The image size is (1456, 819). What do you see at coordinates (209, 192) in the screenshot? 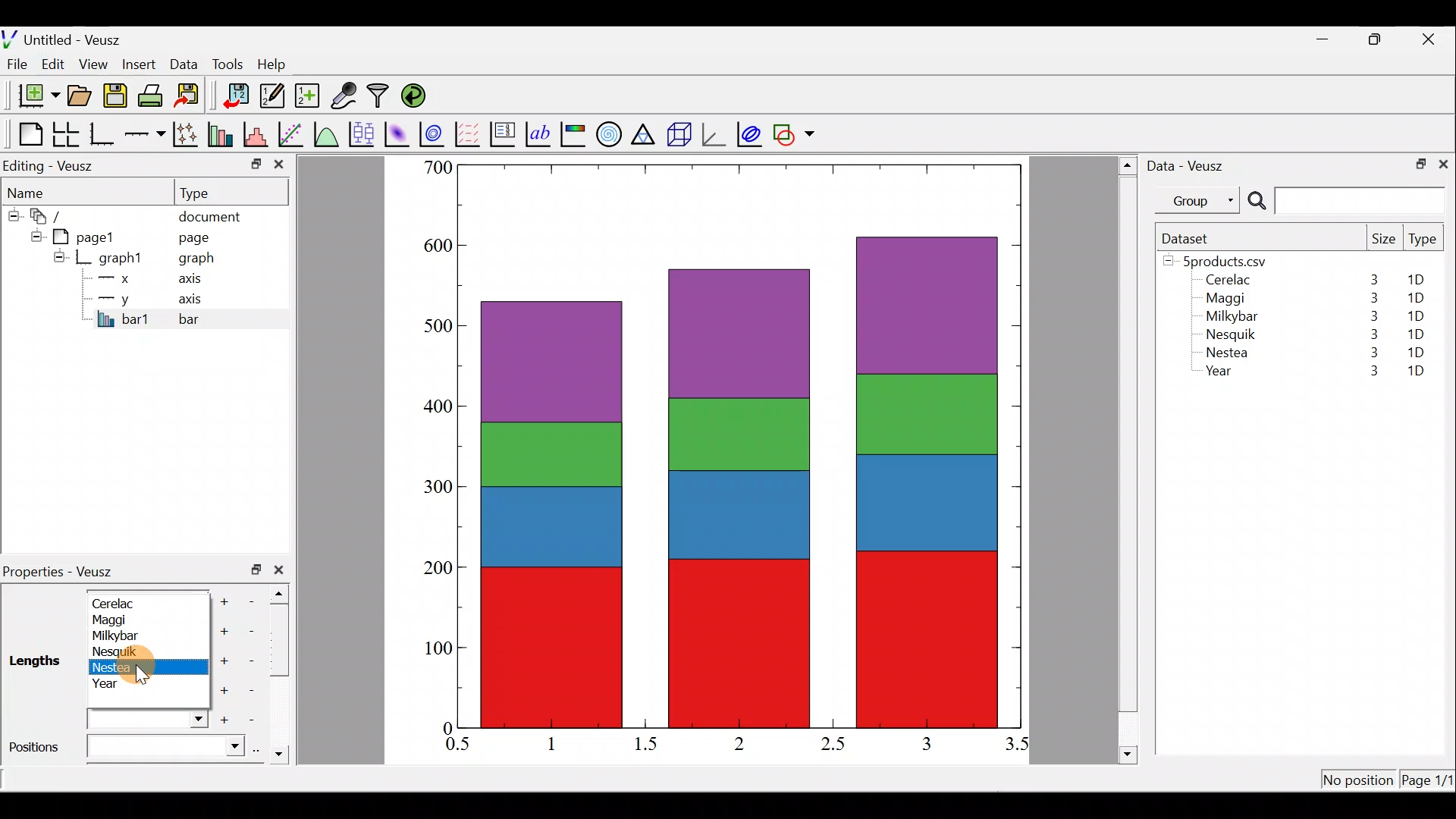
I see `Type` at bounding box center [209, 192].